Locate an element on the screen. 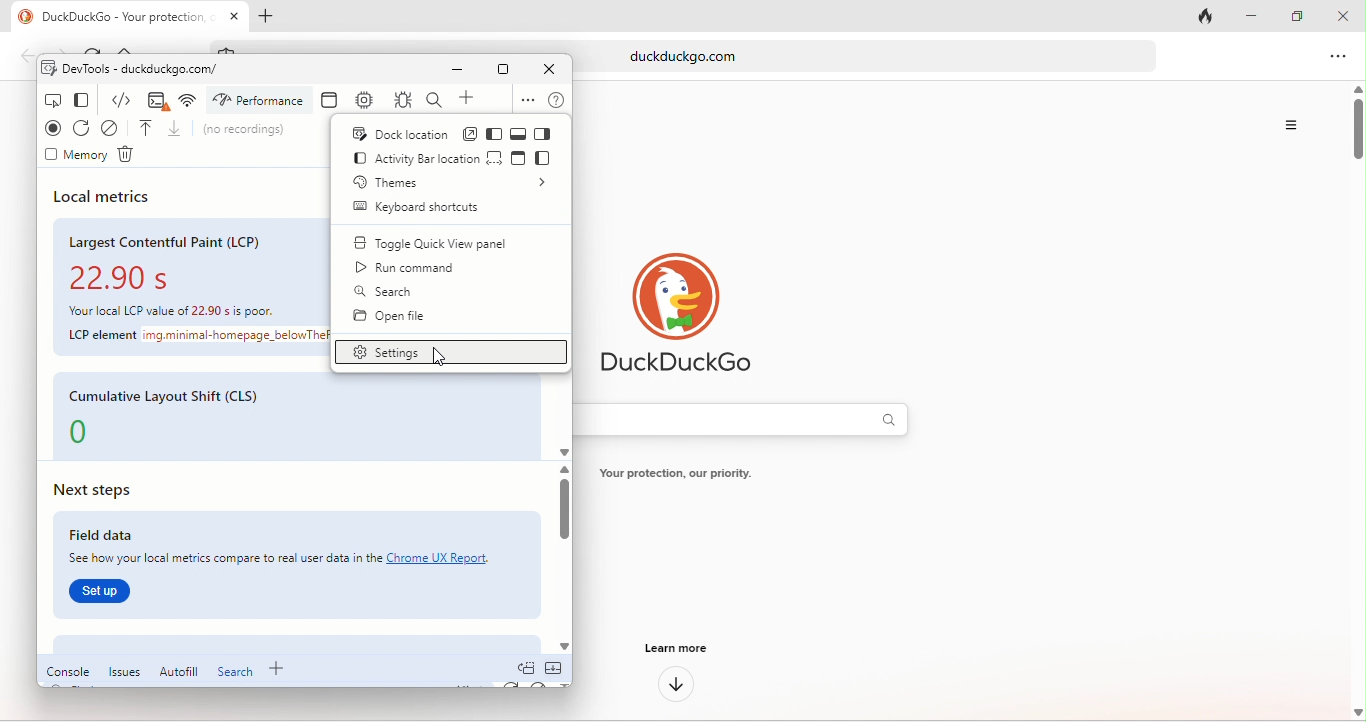  maximize is located at coordinates (1292, 16).